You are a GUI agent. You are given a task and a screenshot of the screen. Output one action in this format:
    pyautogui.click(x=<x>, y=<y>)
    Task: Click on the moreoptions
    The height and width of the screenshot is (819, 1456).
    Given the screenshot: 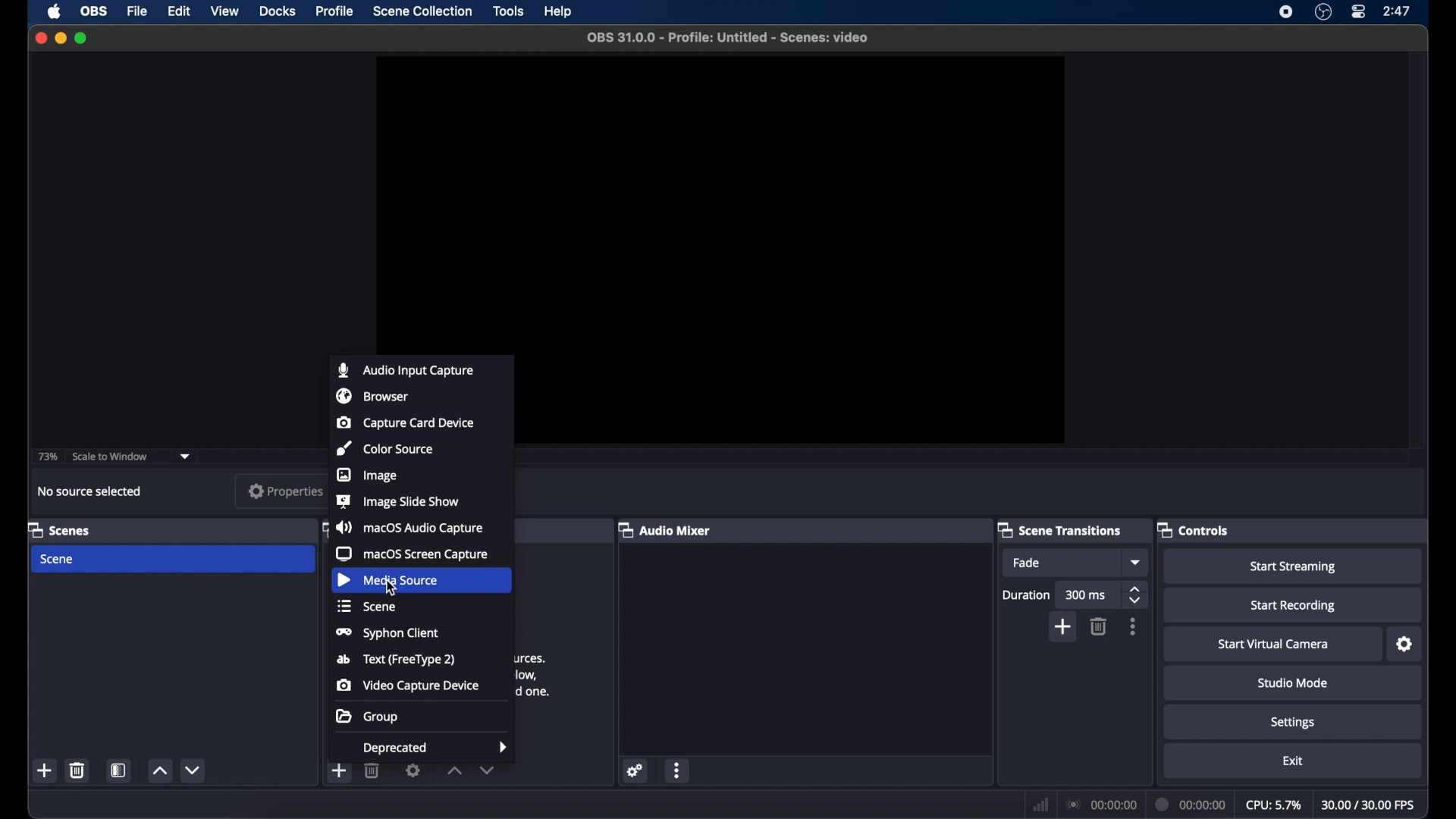 What is the action you would take?
    pyautogui.click(x=1133, y=626)
    